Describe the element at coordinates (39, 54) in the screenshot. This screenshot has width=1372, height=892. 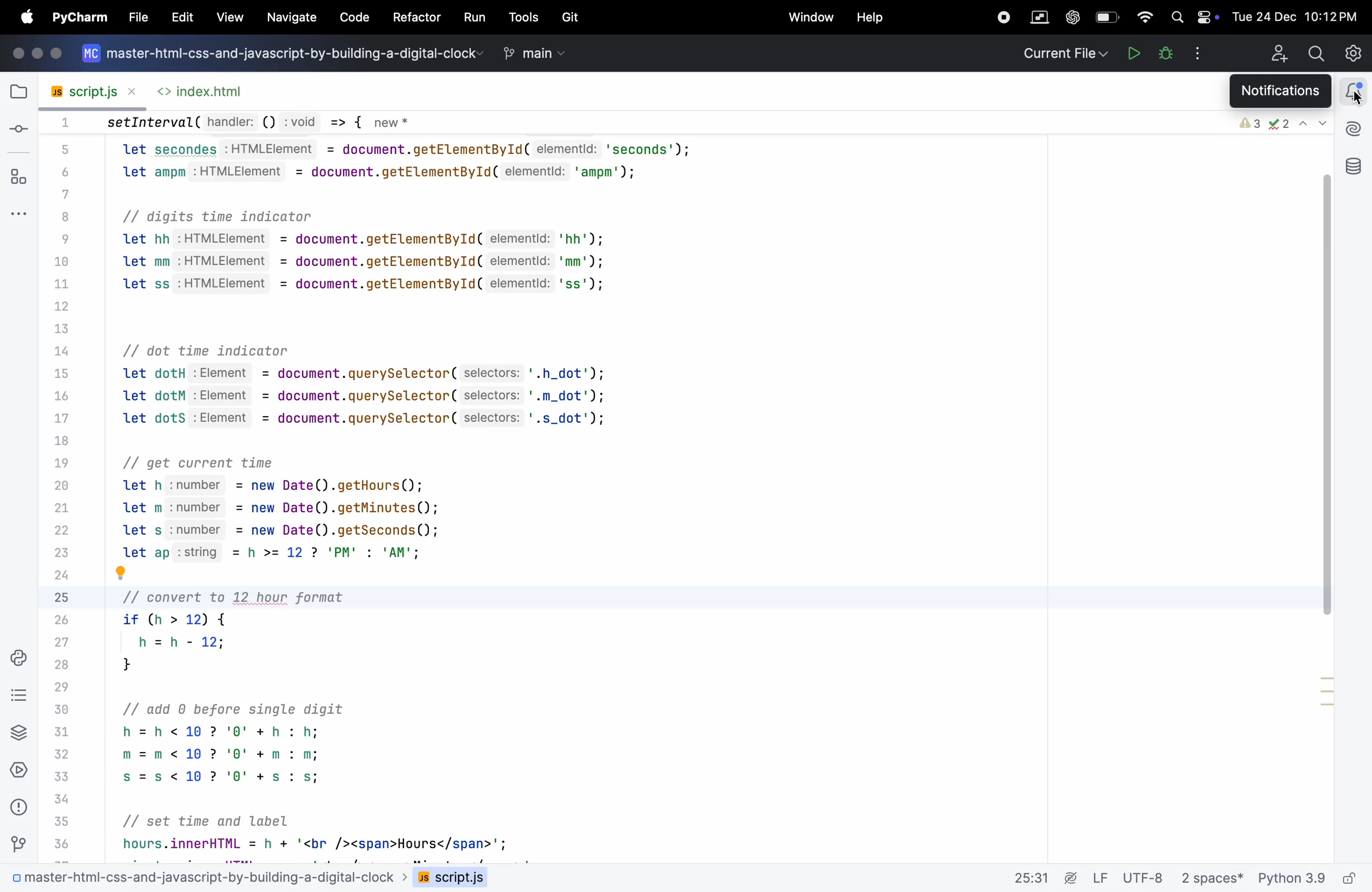
I see `icons` at that location.